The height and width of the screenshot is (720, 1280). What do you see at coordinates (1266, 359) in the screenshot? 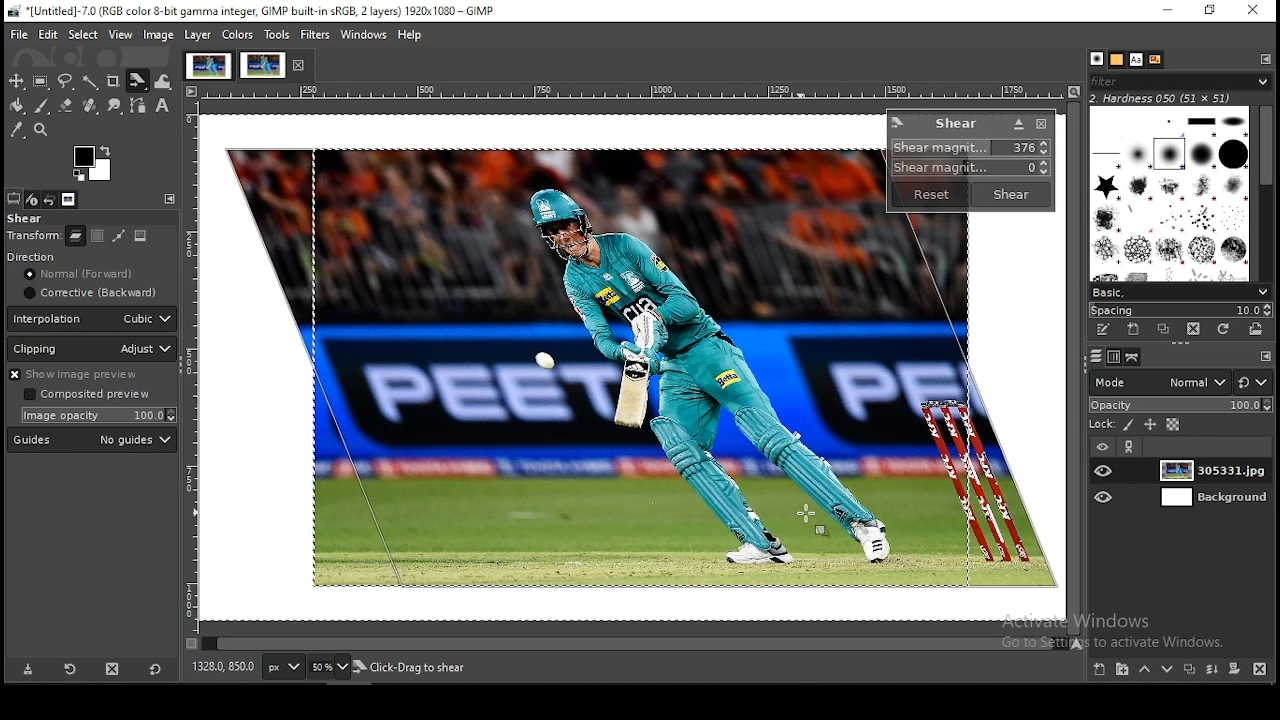
I see `configure this tab` at bounding box center [1266, 359].